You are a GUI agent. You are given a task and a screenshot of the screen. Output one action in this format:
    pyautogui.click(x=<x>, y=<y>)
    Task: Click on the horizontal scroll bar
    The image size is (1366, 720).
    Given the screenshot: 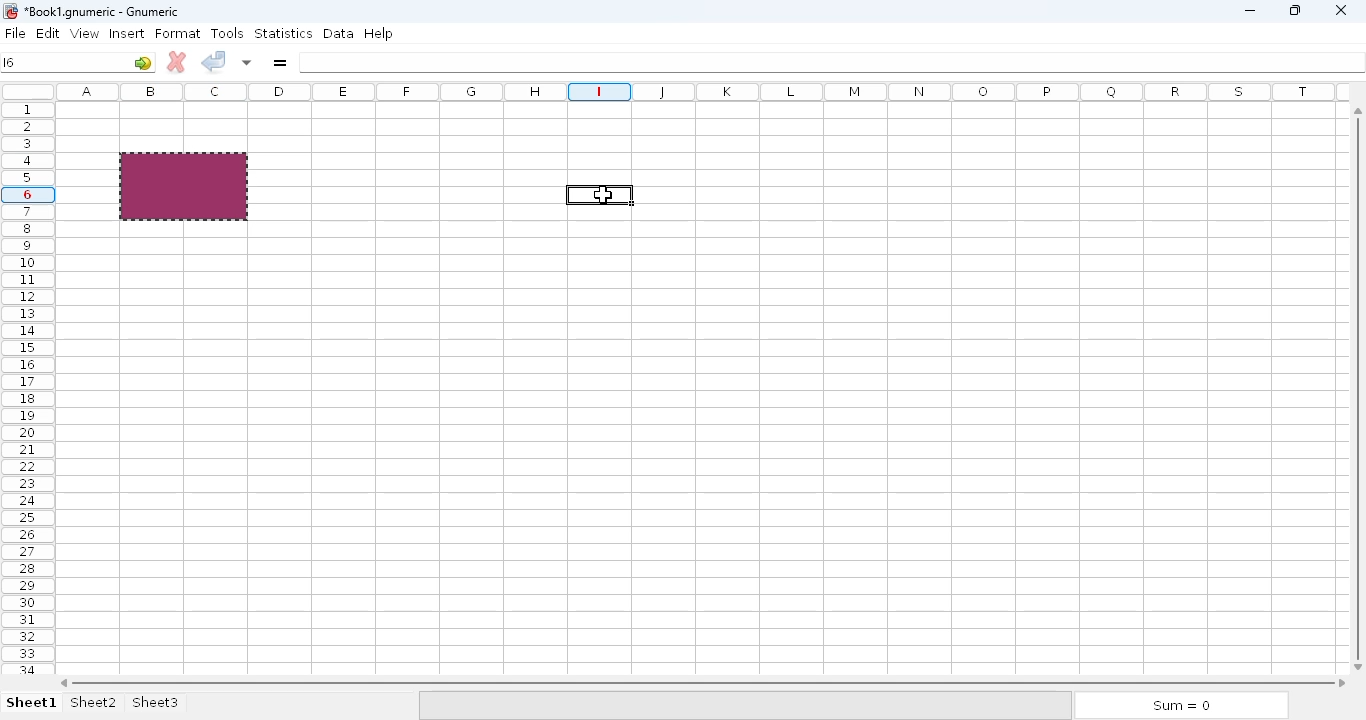 What is the action you would take?
    pyautogui.click(x=703, y=682)
    